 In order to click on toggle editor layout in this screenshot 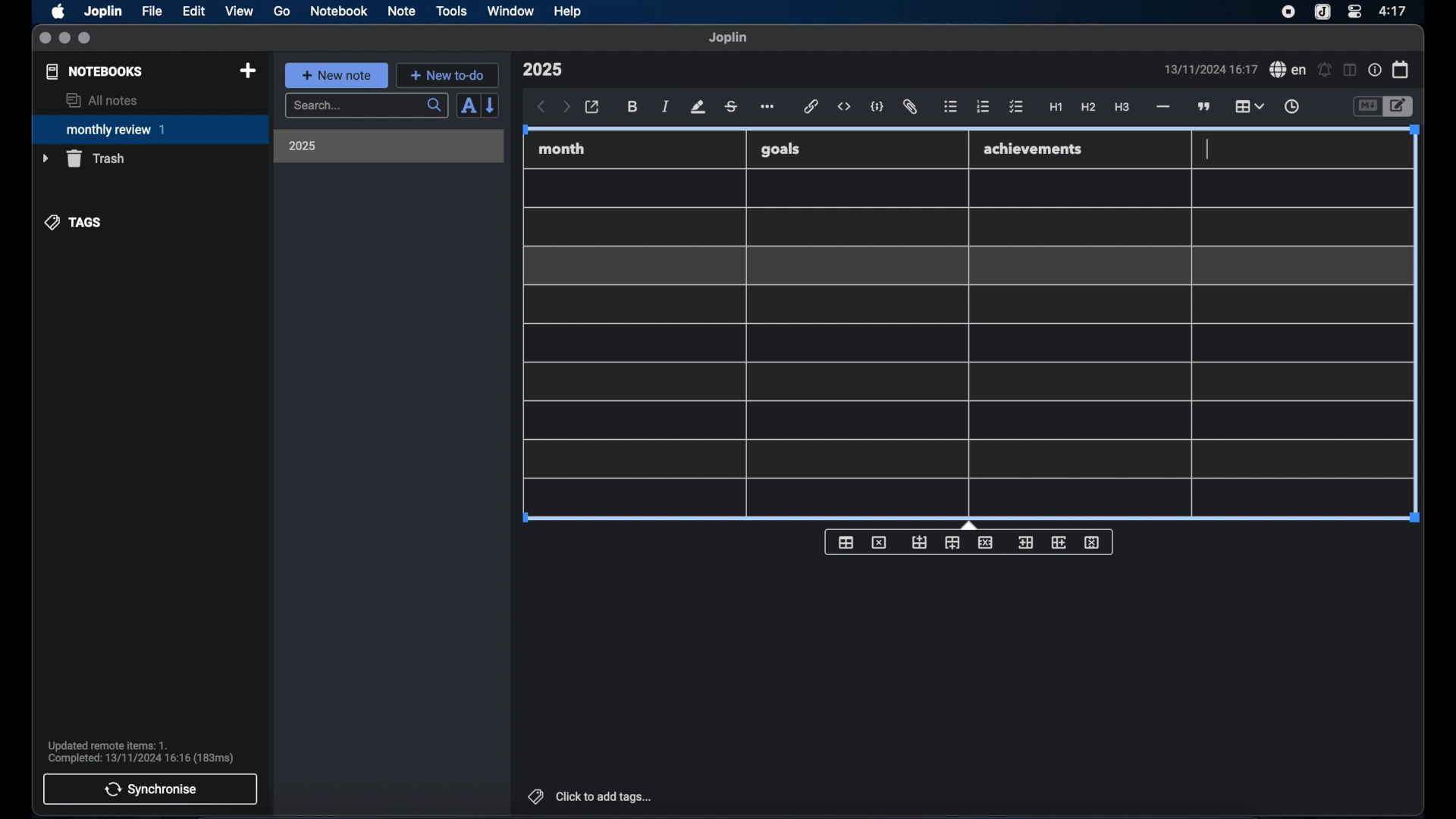, I will do `click(1351, 70)`.